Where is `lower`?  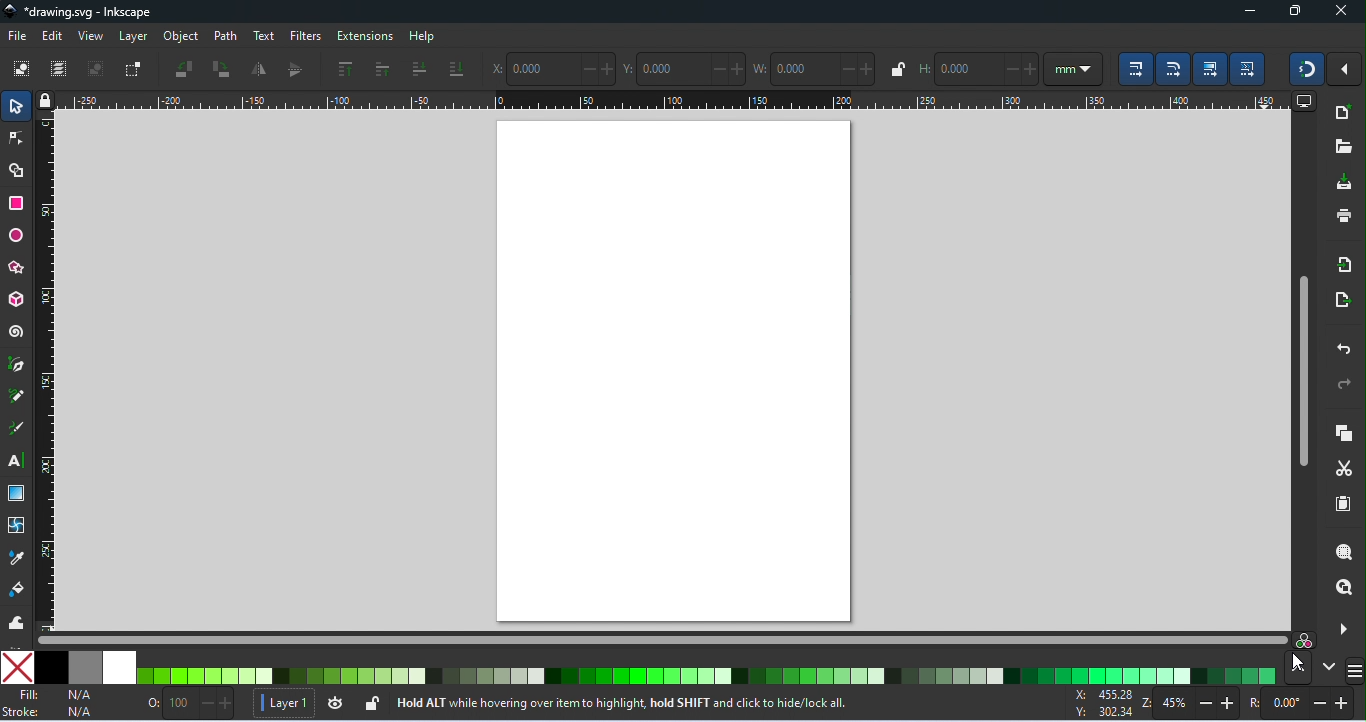
lower is located at coordinates (419, 69).